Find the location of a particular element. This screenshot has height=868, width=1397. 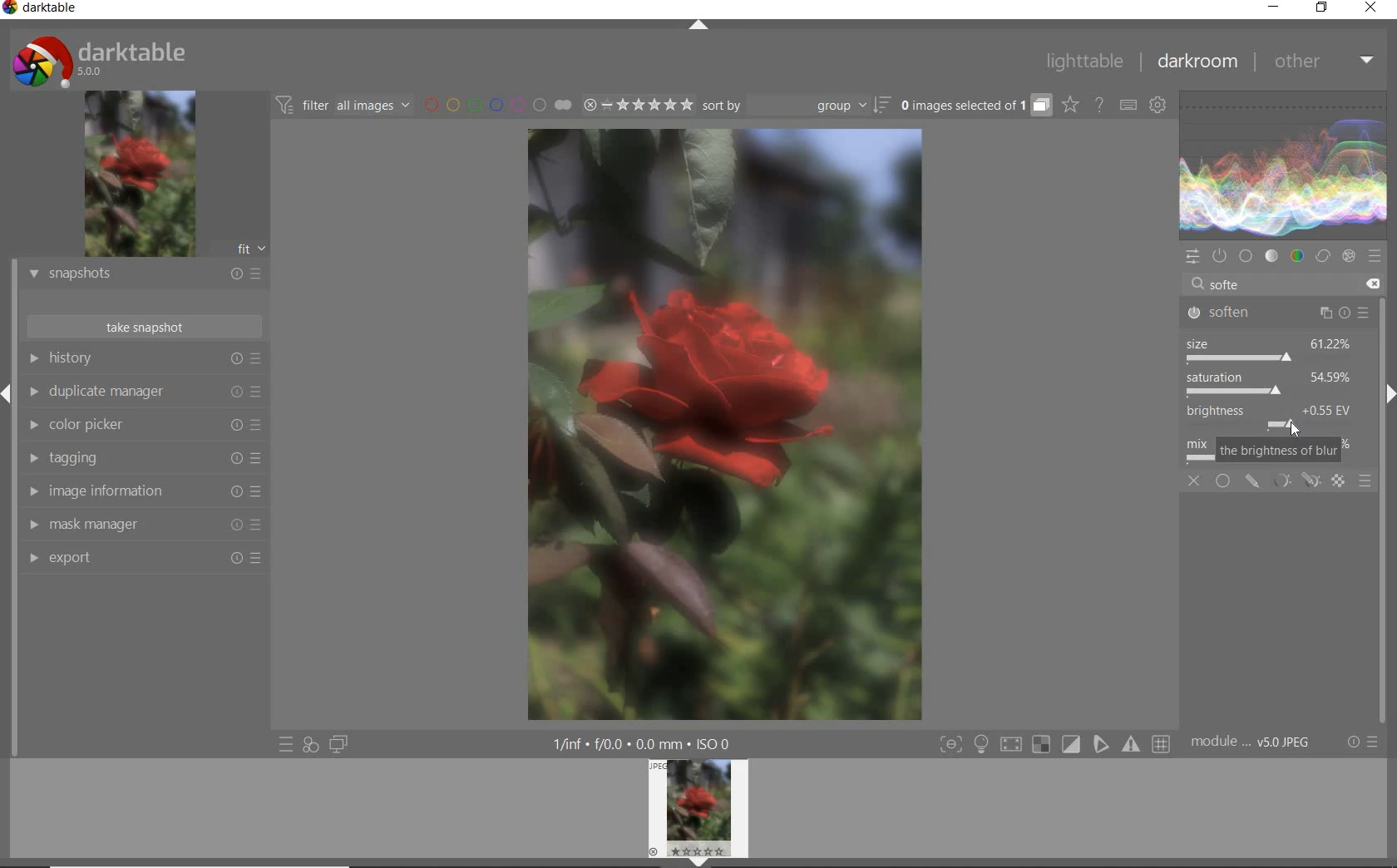

range ratings for selected images is located at coordinates (638, 105).